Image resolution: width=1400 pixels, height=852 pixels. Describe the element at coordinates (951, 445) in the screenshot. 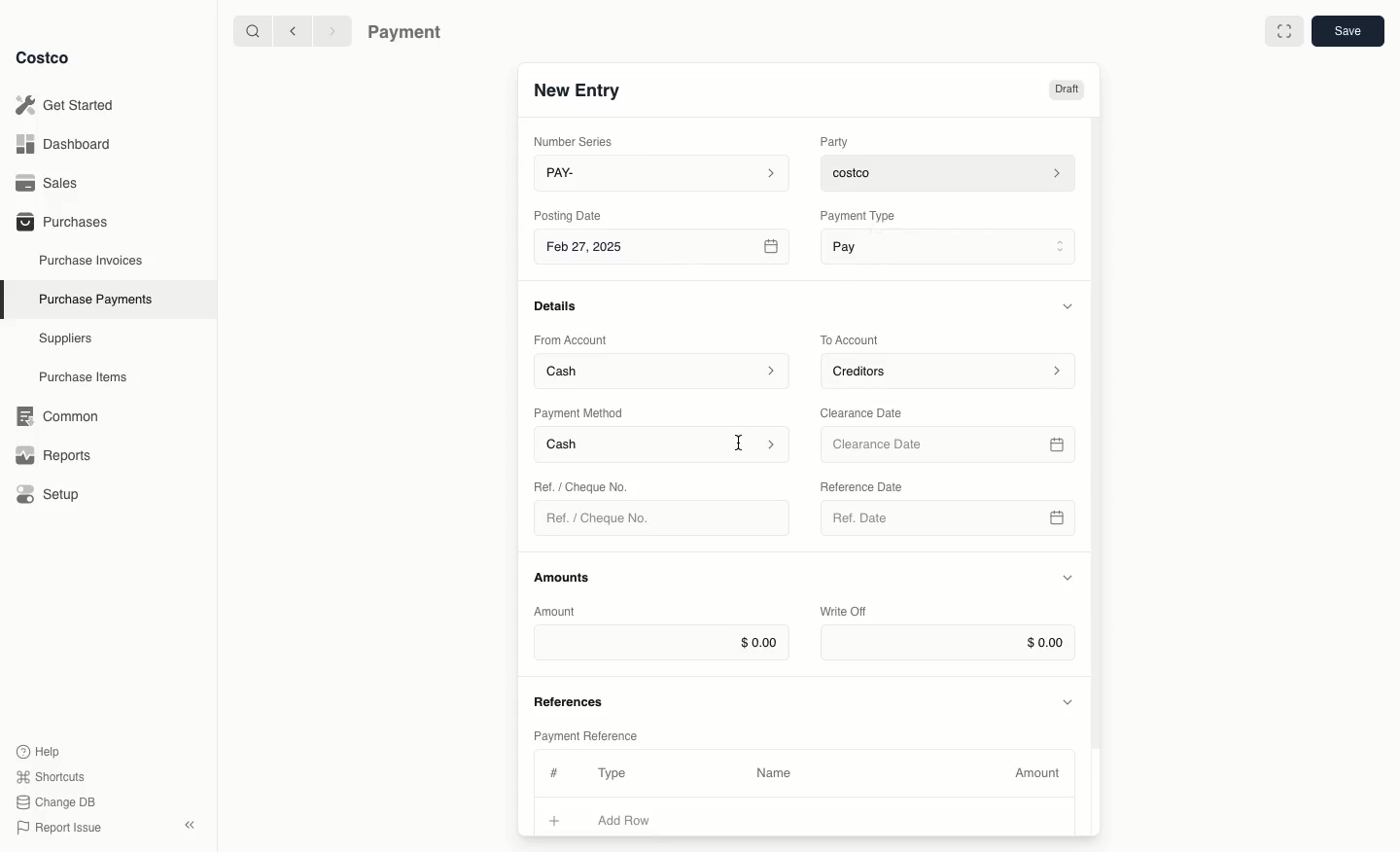

I see `Clearance Date` at that location.